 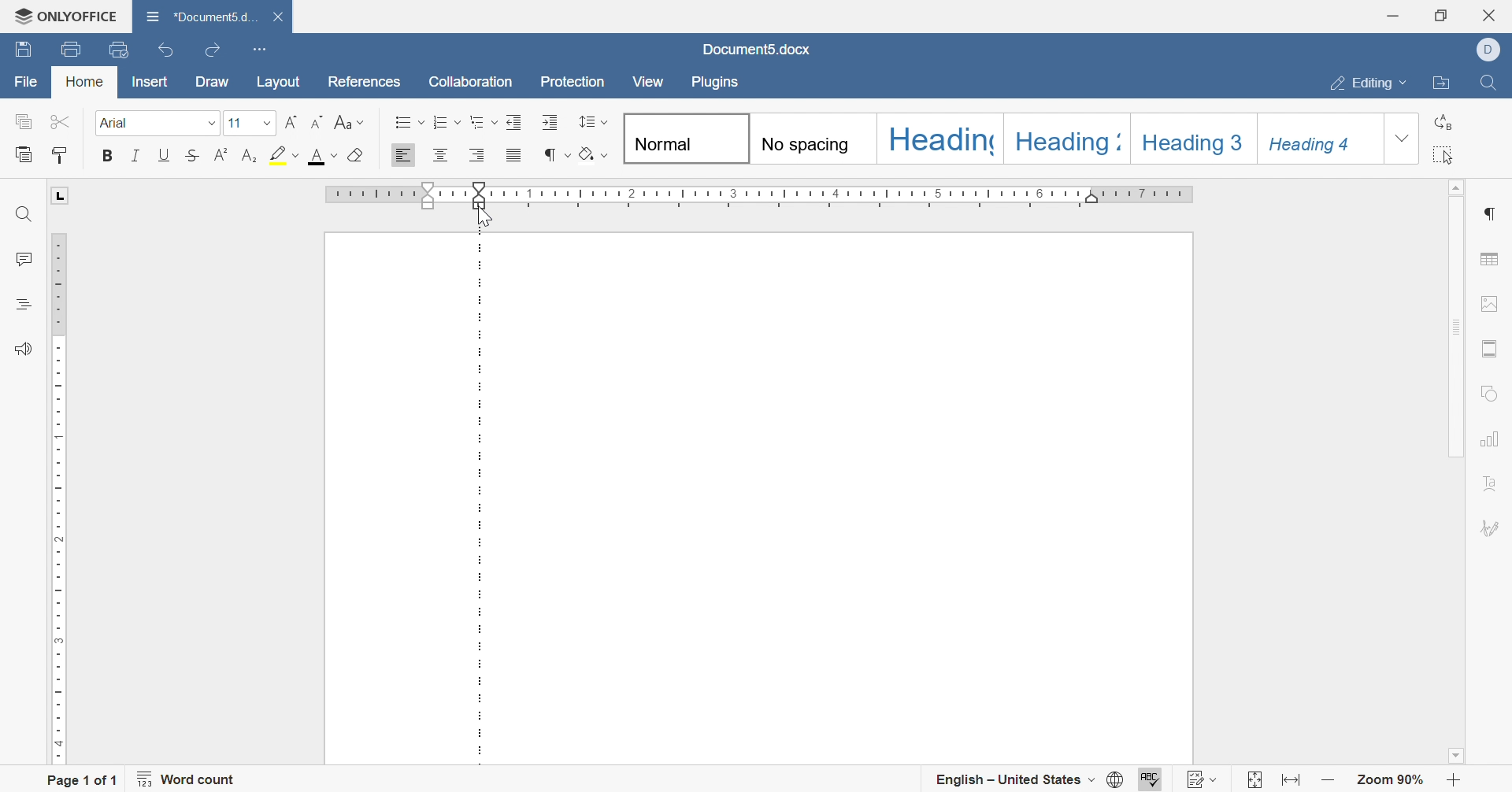 What do you see at coordinates (317, 121) in the screenshot?
I see `decrement font size` at bounding box center [317, 121].